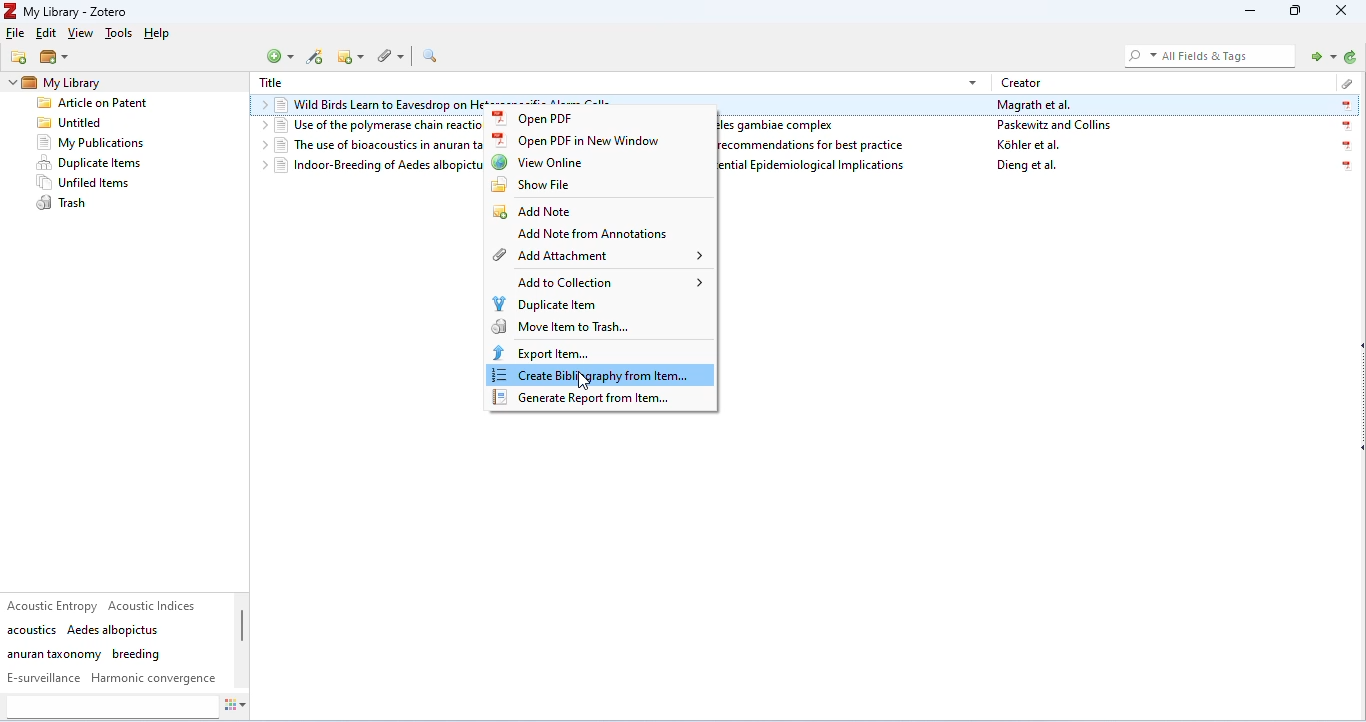  I want to click on pdf, so click(1343, 167).